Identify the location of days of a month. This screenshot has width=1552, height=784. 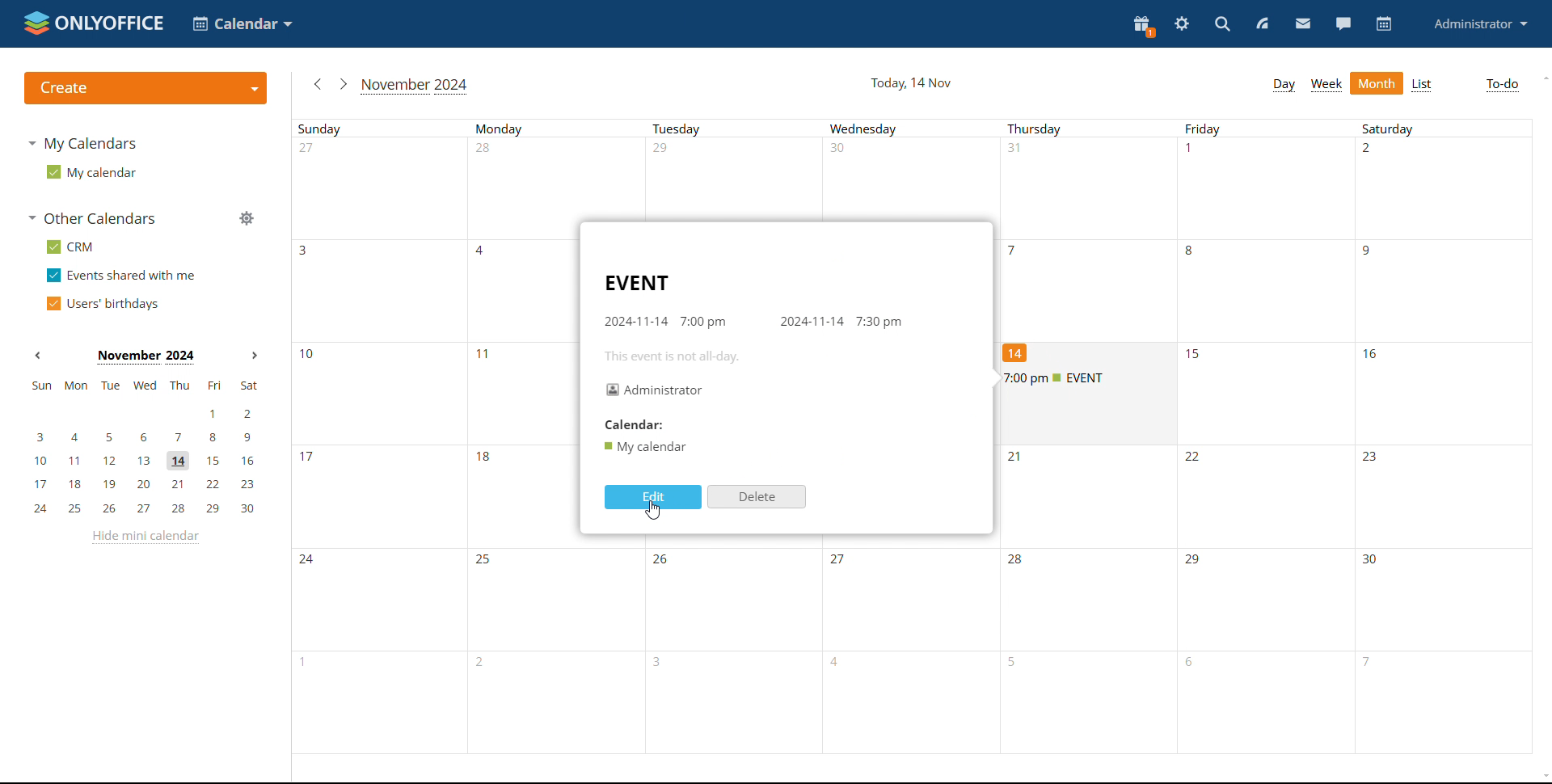
(1357, 391).